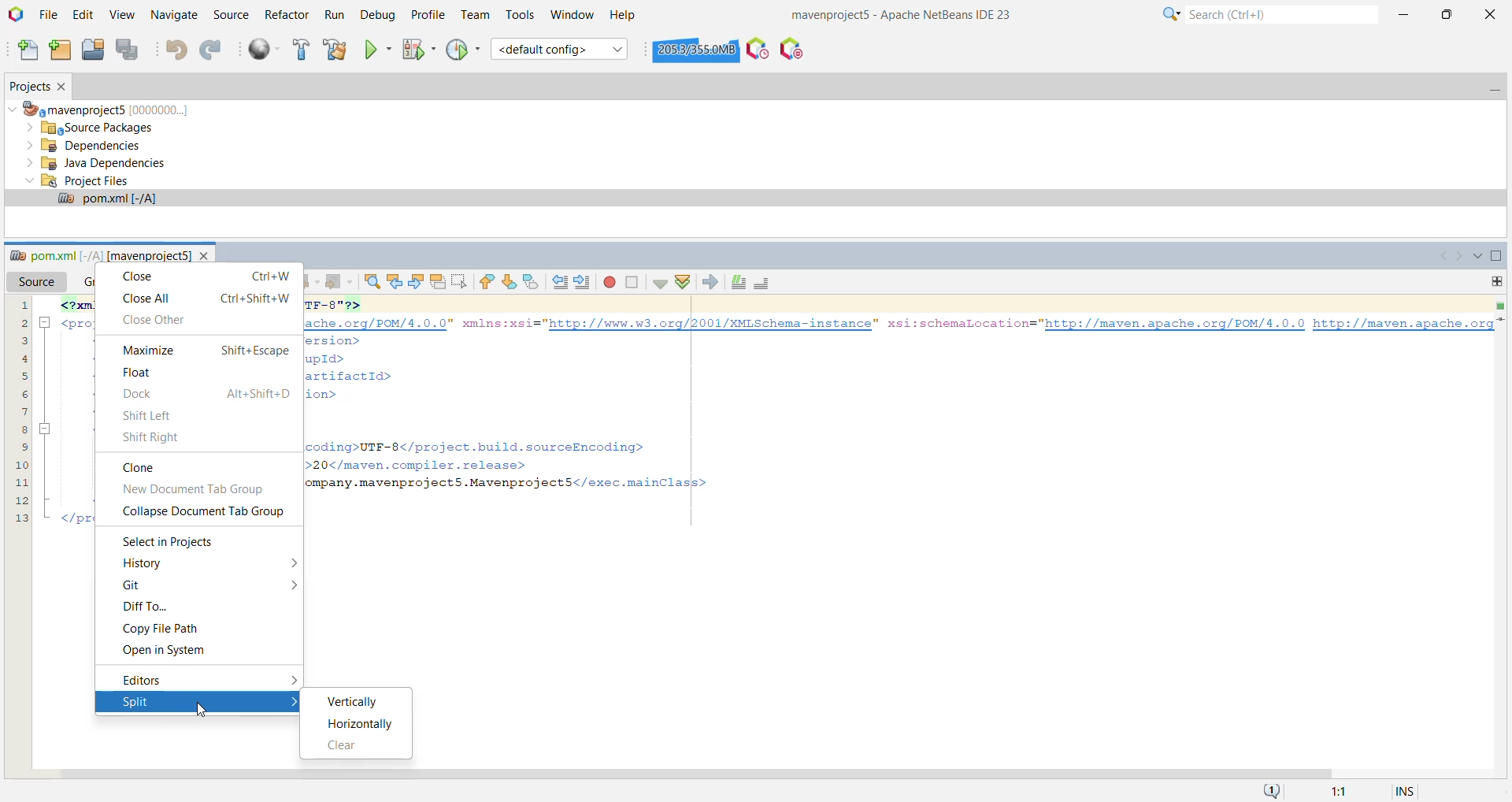 The image size is (1512, 802). I want to click on mavenproject5, so click(104, 108).